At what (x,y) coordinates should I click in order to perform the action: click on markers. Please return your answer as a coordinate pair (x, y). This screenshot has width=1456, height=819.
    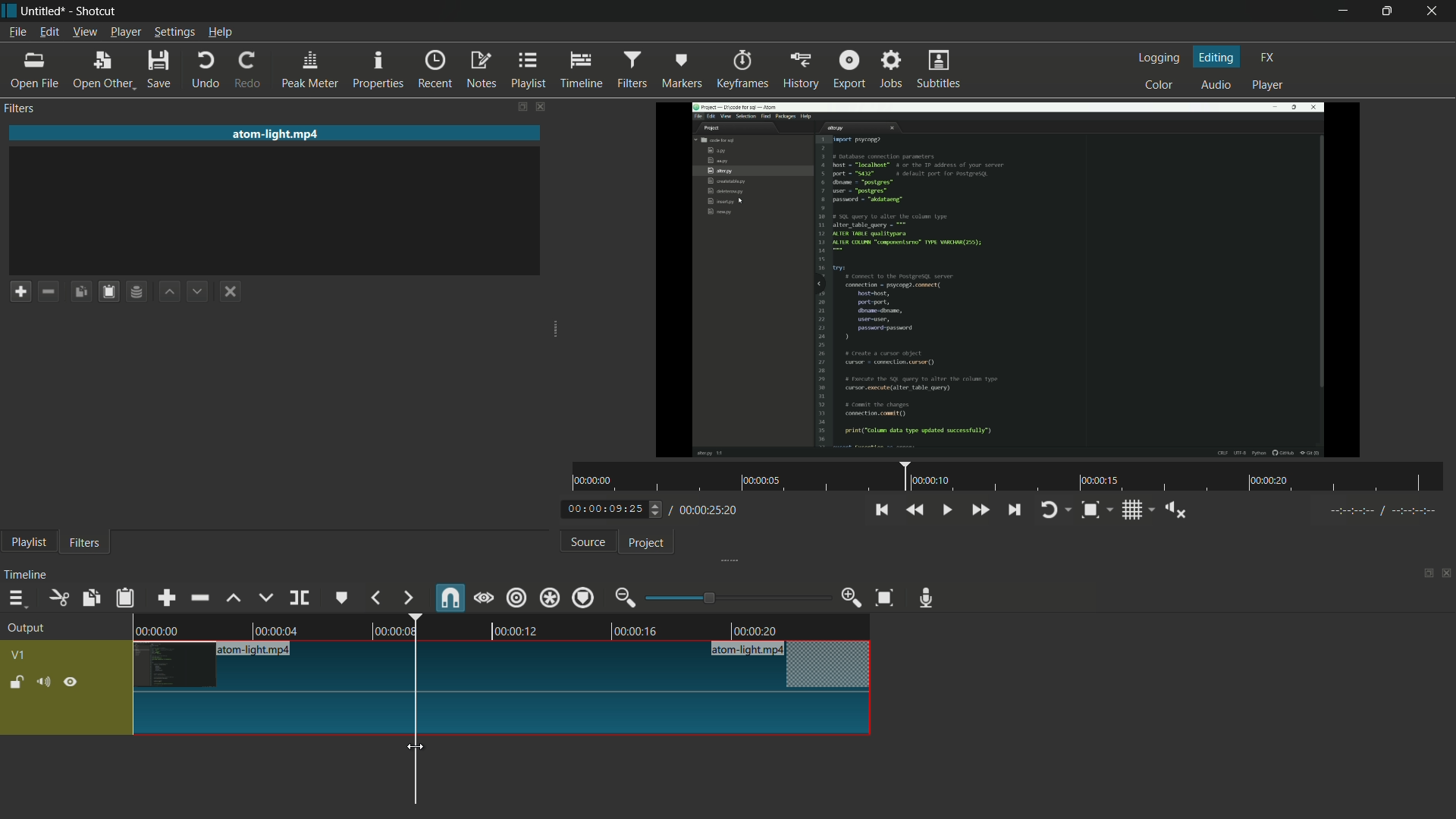
    Looking at the image, I should click on (682, 71).